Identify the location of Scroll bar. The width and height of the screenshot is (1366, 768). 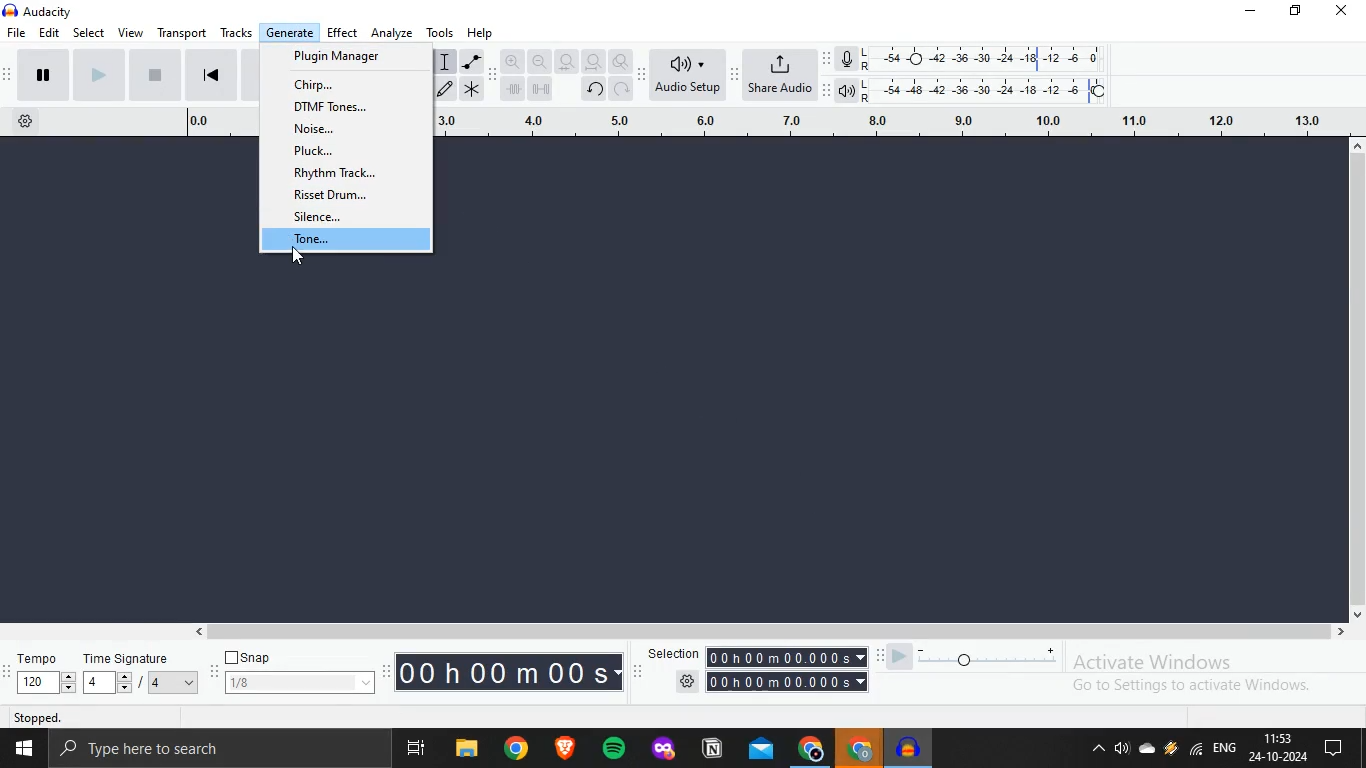
(1357, 386).